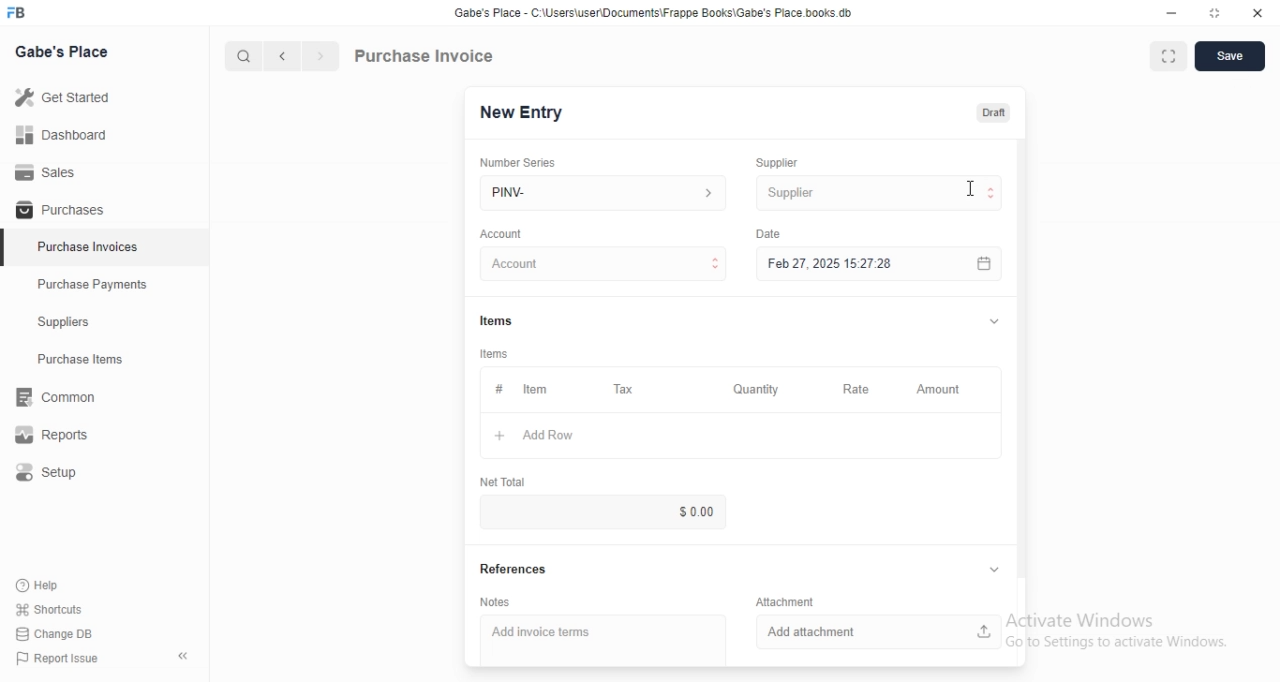 The image size is (1280, 682). What do you see at coordinates (1022, 365) in the screenshot?
I see `Vertical slide bar` at bounding box center [1022, 365].